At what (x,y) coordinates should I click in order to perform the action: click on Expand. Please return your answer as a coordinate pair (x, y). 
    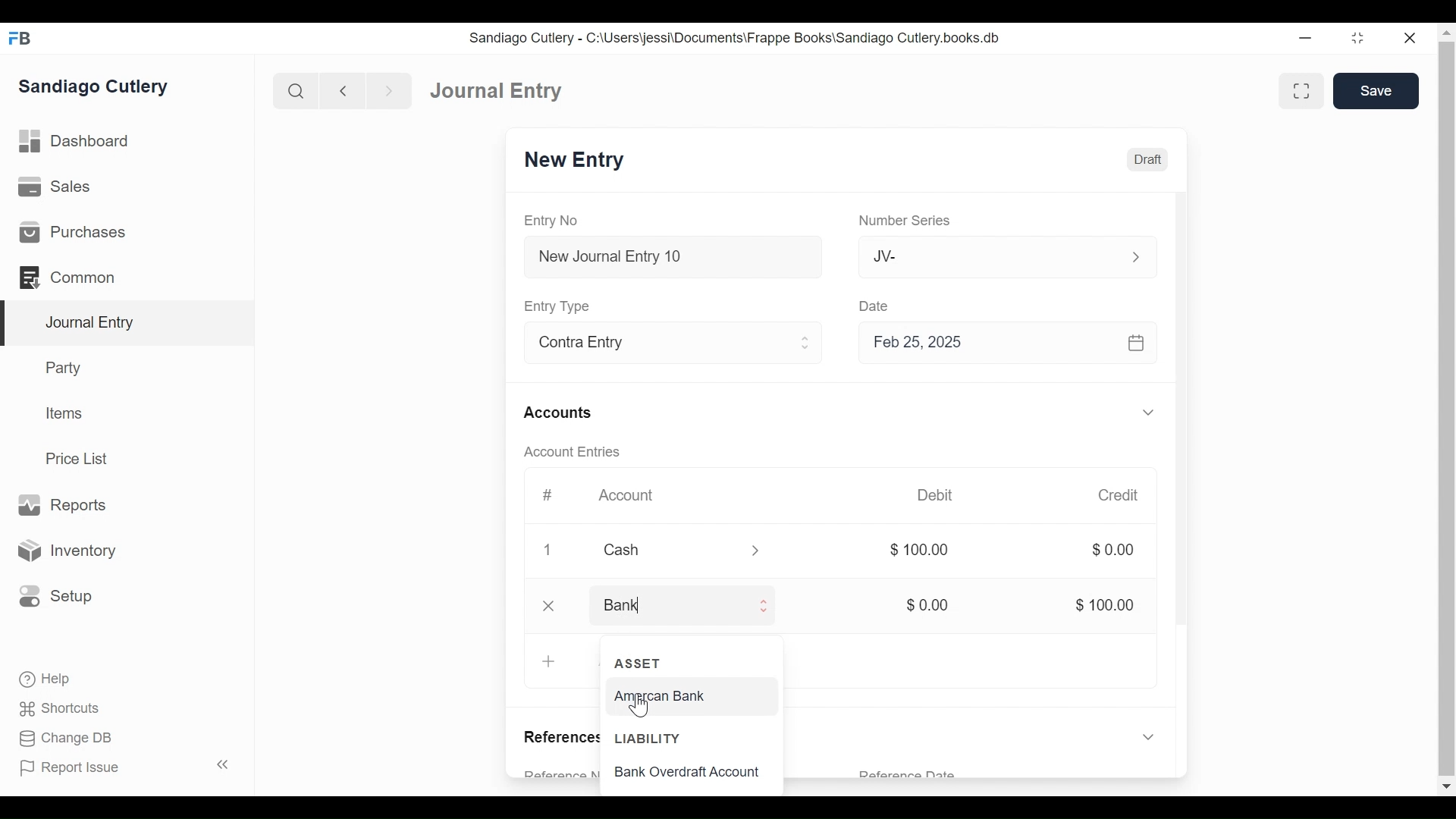
    Looking at the image, I should click on (756, 549).